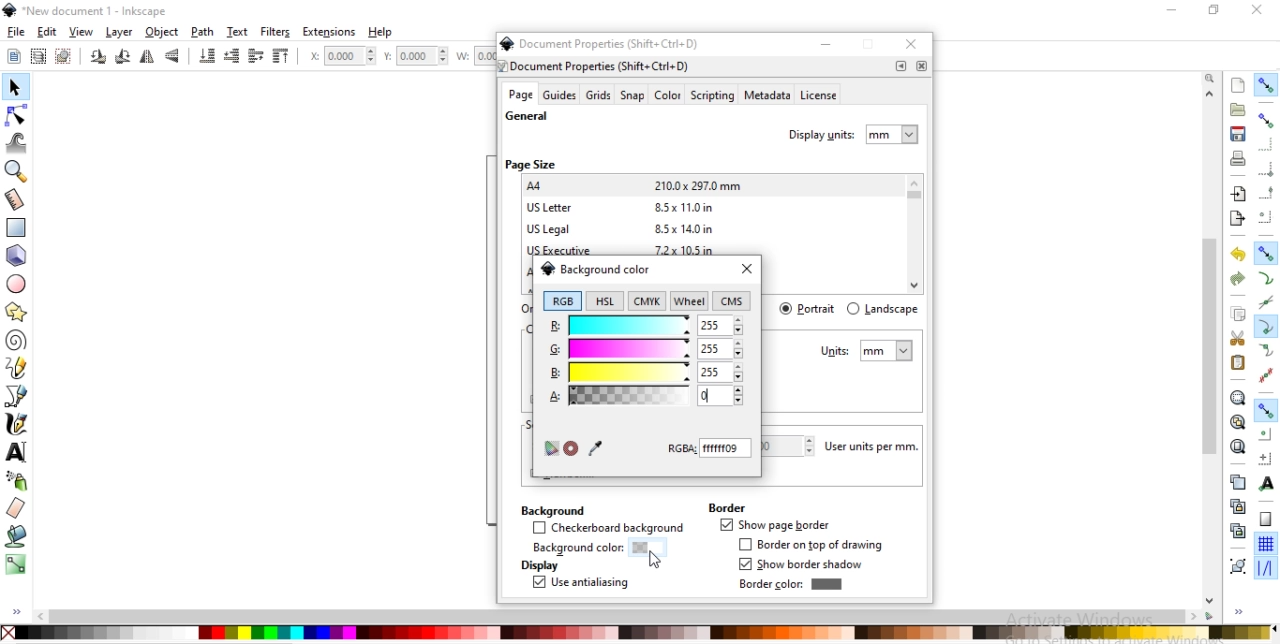 The width and height of the screenshot is (1280, 644). What do you see at coordinates (1236, 109) in the screenshot?
I see `open a document` at bounding box center [1236, 109].